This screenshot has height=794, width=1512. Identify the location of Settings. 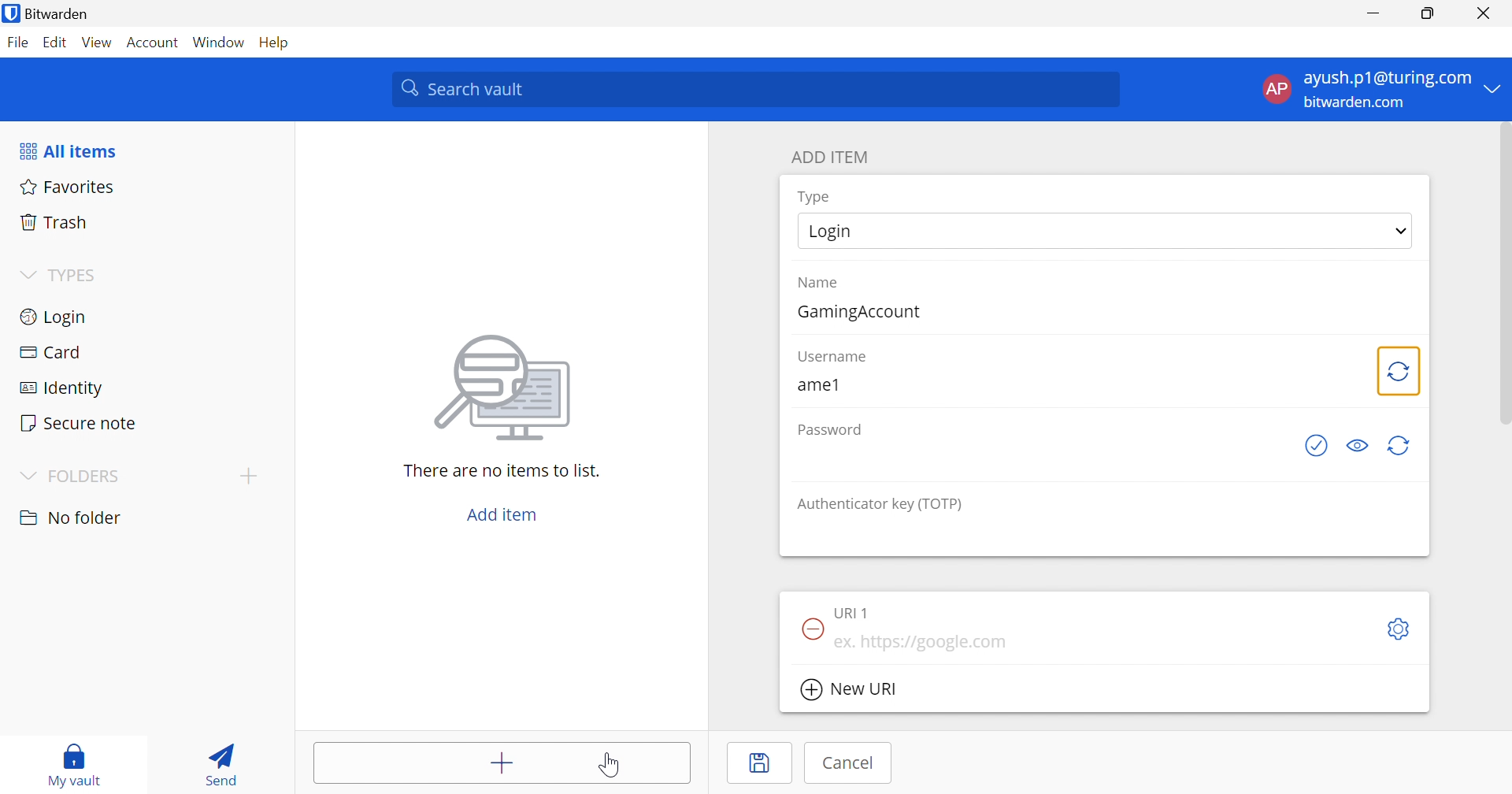
(1402, 629).